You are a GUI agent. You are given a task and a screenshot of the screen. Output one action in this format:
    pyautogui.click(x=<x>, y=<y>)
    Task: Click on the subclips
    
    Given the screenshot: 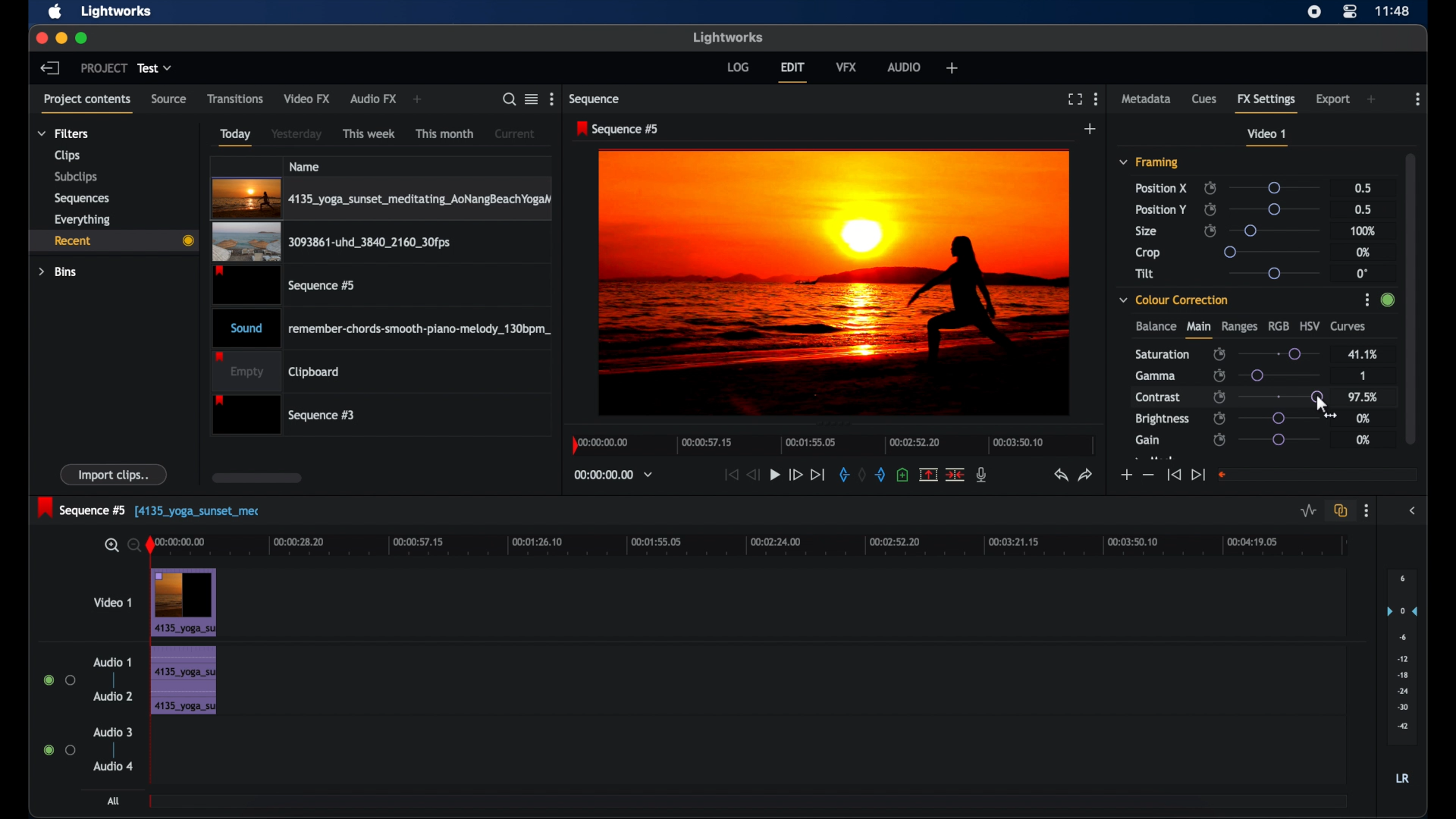 What is the action you would take?
    pyautogui.click(x=74, y=178)
    